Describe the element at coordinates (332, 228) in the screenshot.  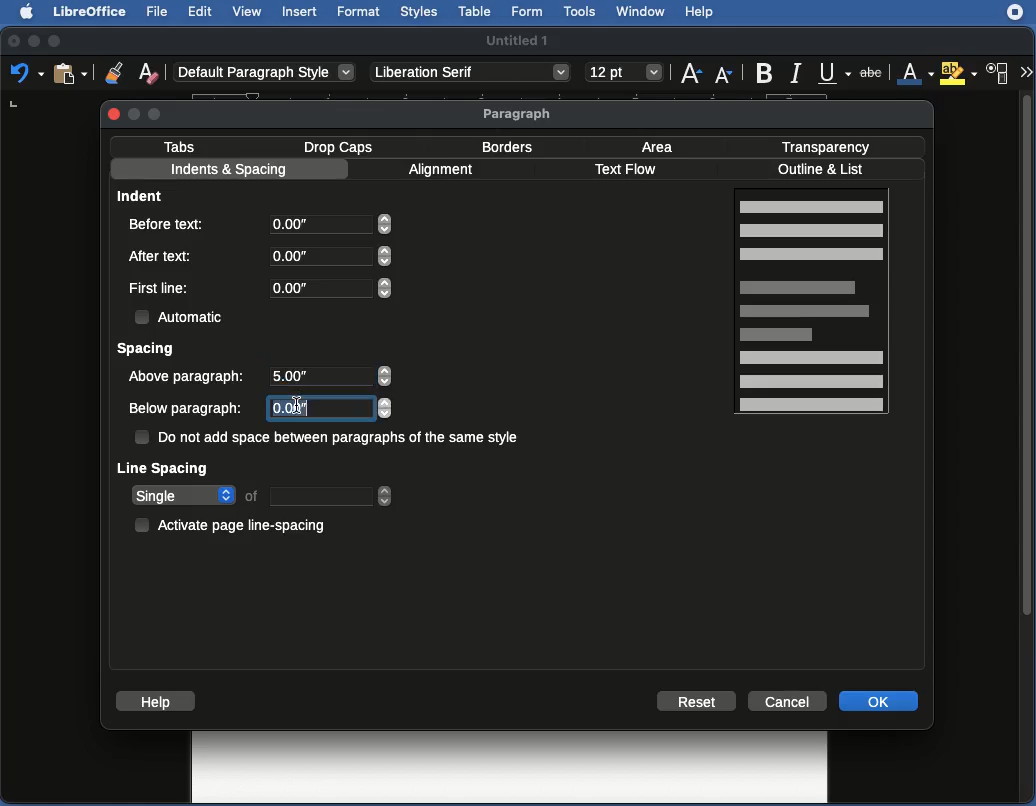
I see `0.00"` at that location.